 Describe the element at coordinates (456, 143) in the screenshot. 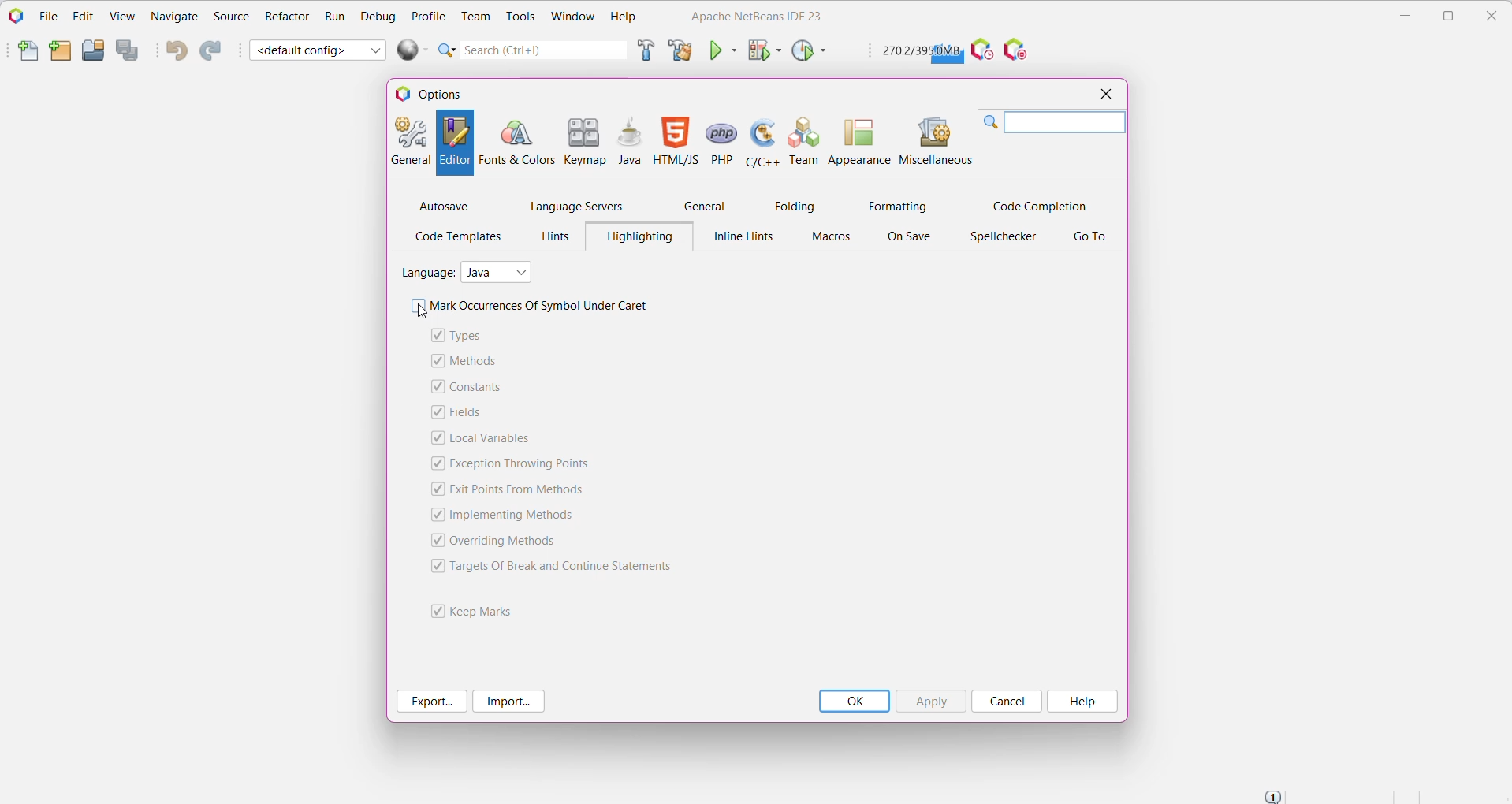

I see `Editor` at that location.